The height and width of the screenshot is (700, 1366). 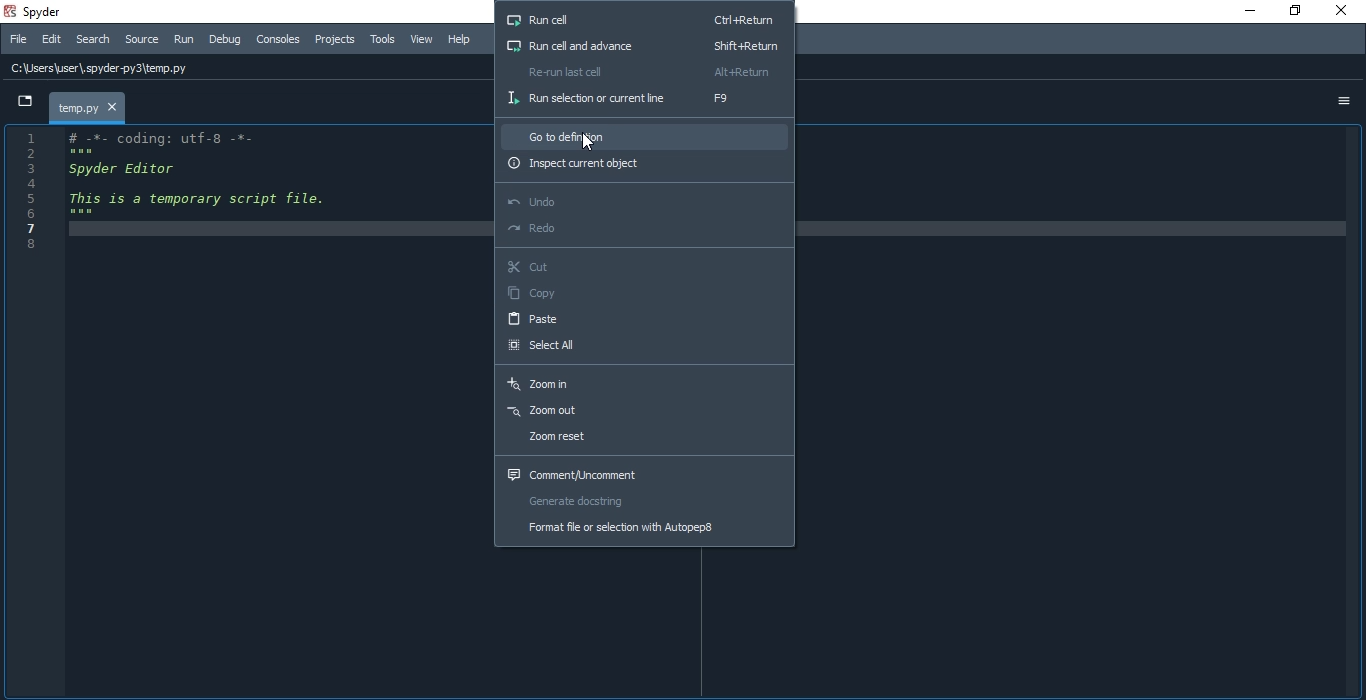 I want to click on close, so click(x=1346, y=12).